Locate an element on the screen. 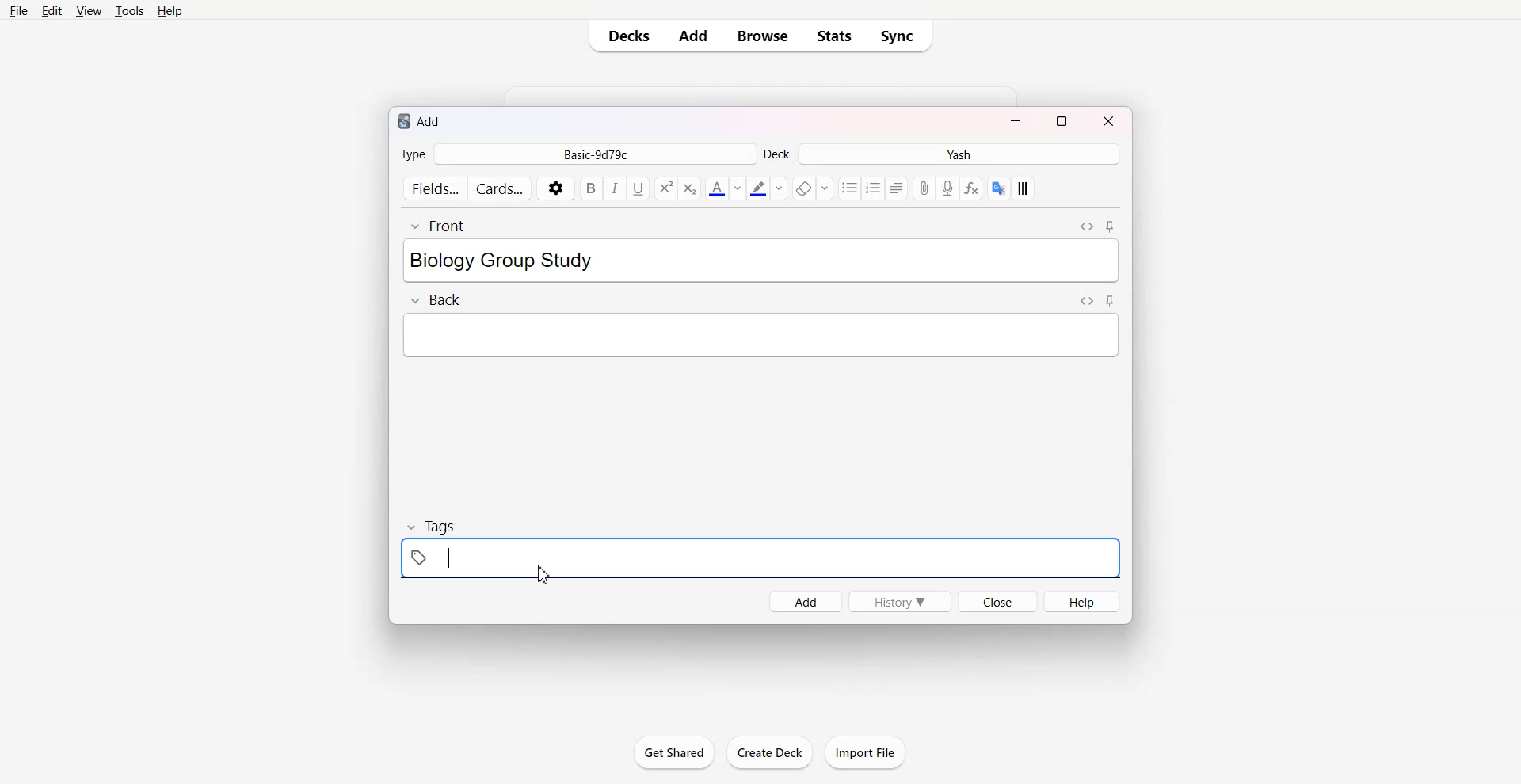 This screenshot has width=1521, height=784. Edit is located at coordinates (54, 11).